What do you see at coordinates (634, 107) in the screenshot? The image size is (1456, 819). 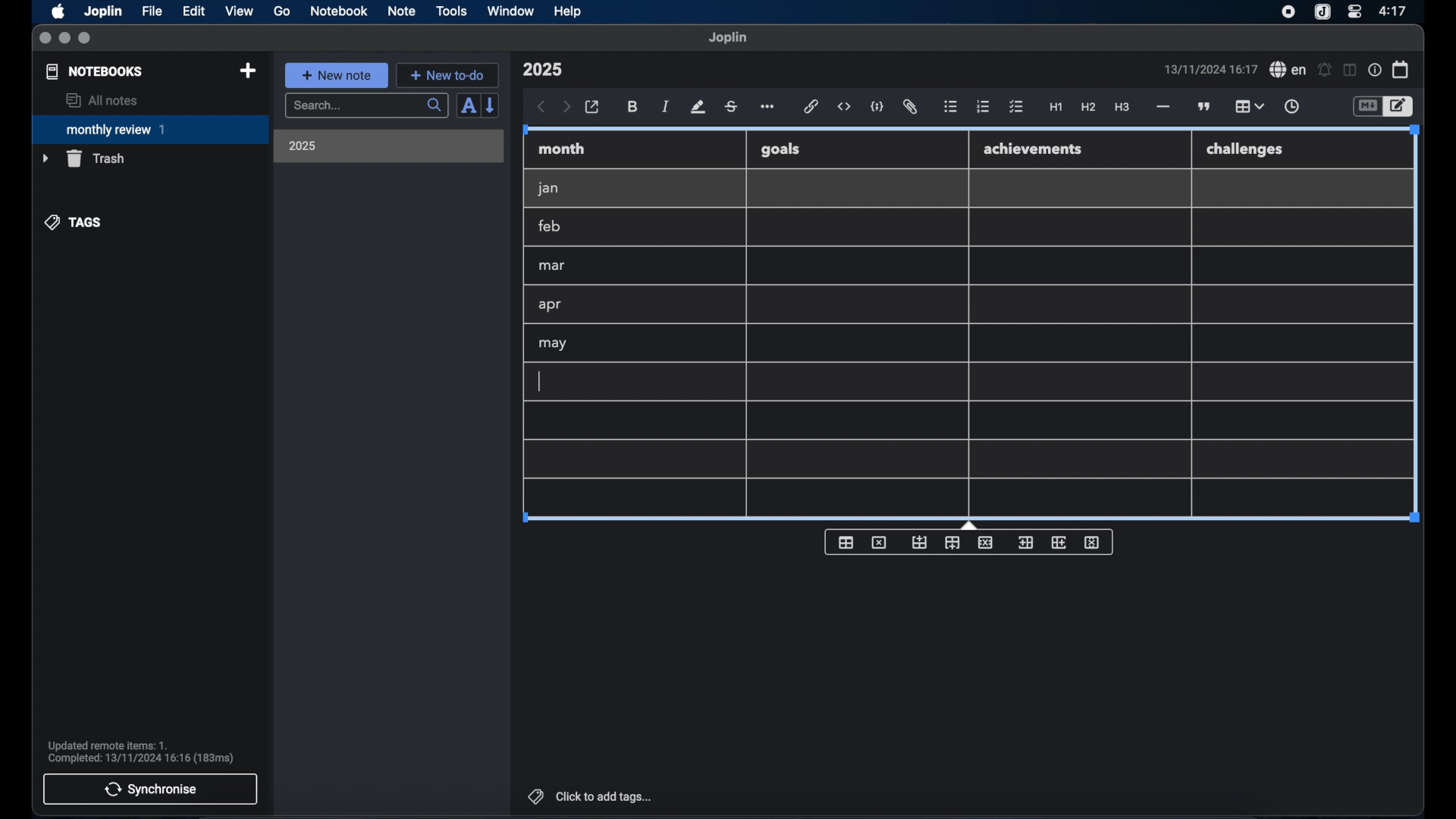 I see `bold` at bounding box center [634, 107].